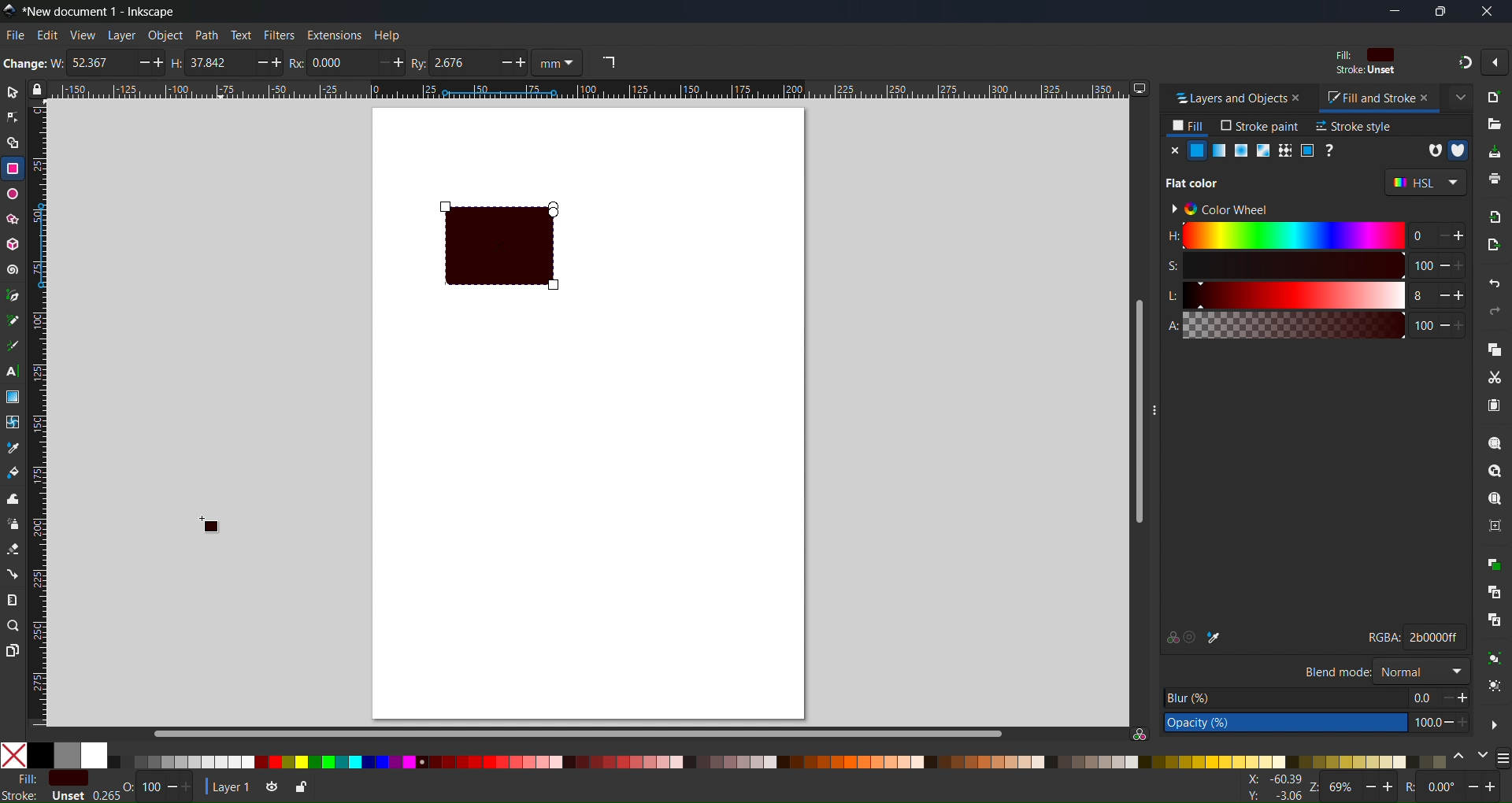 This screenshot has width=1512, height=803. Describe the element at coordinates (1416, 235) in the screenshot. I see `0` at that location.